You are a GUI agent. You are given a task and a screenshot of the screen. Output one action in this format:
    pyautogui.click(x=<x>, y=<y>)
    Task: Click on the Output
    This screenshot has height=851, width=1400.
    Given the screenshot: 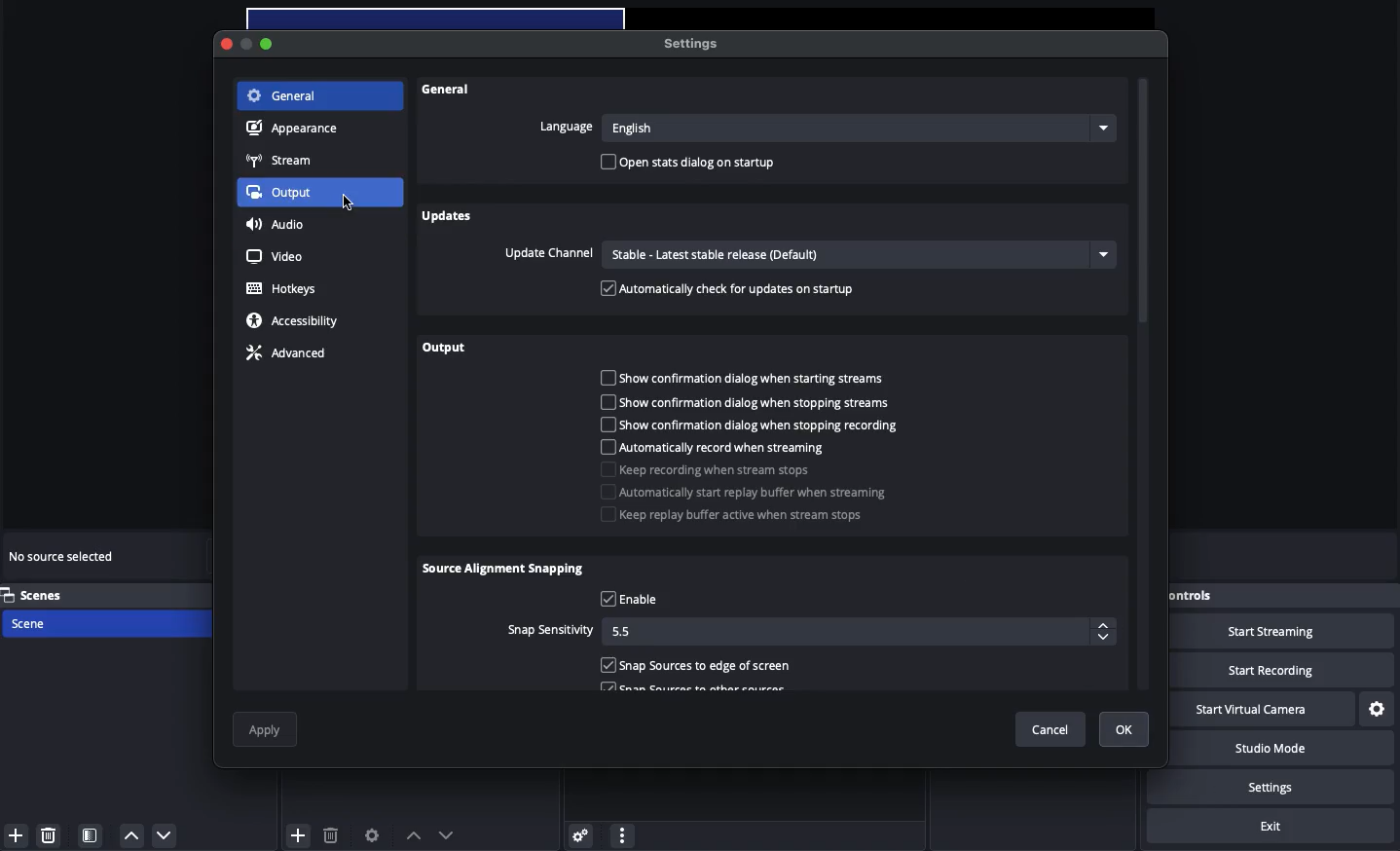 What is the action you would take?
    pyautogui.click(x=285, y=193)
    